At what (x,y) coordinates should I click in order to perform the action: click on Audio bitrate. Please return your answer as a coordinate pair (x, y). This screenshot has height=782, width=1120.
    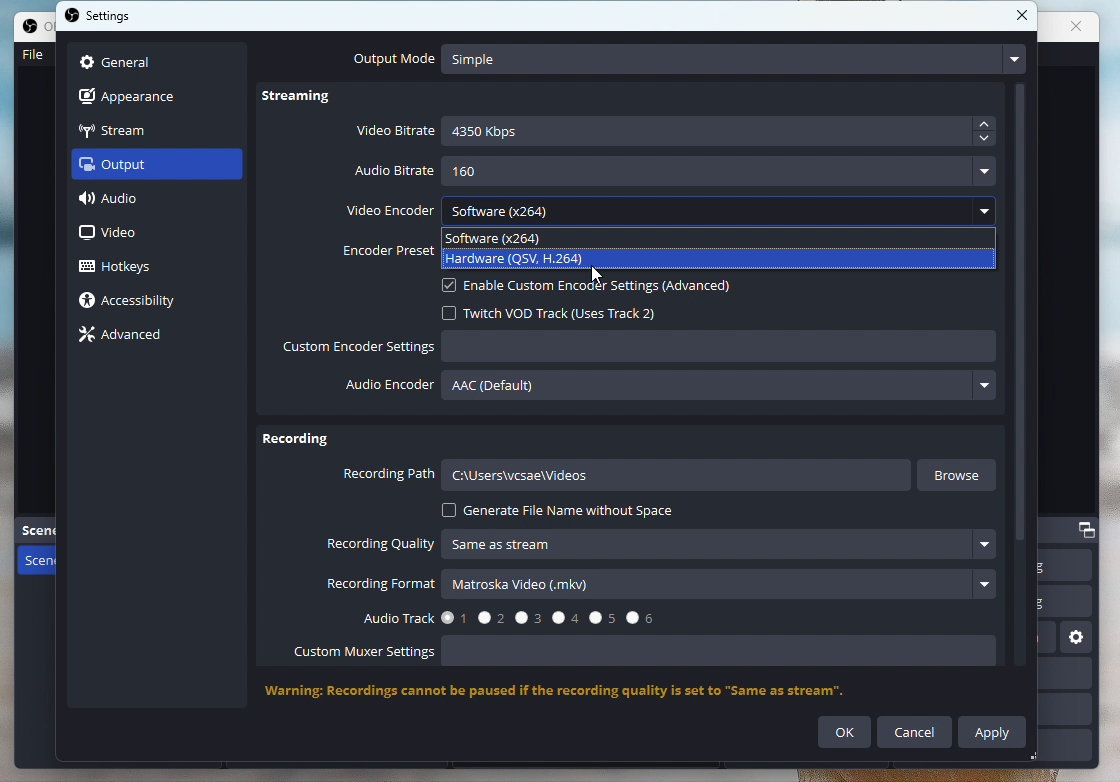
    Looking at the image, I should click on (677, 172).